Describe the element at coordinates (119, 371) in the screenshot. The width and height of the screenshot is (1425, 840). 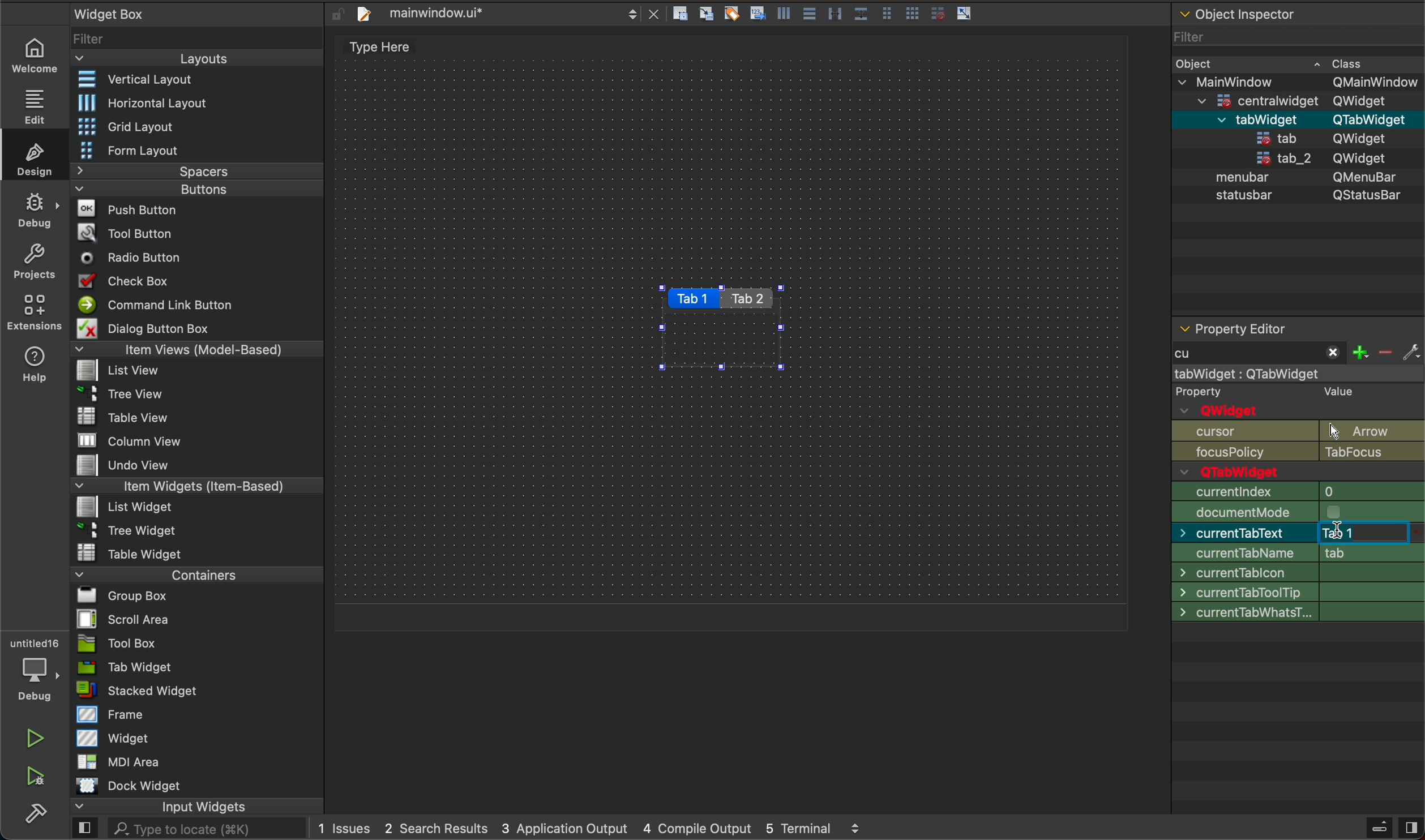
I see ` list View` at that location.